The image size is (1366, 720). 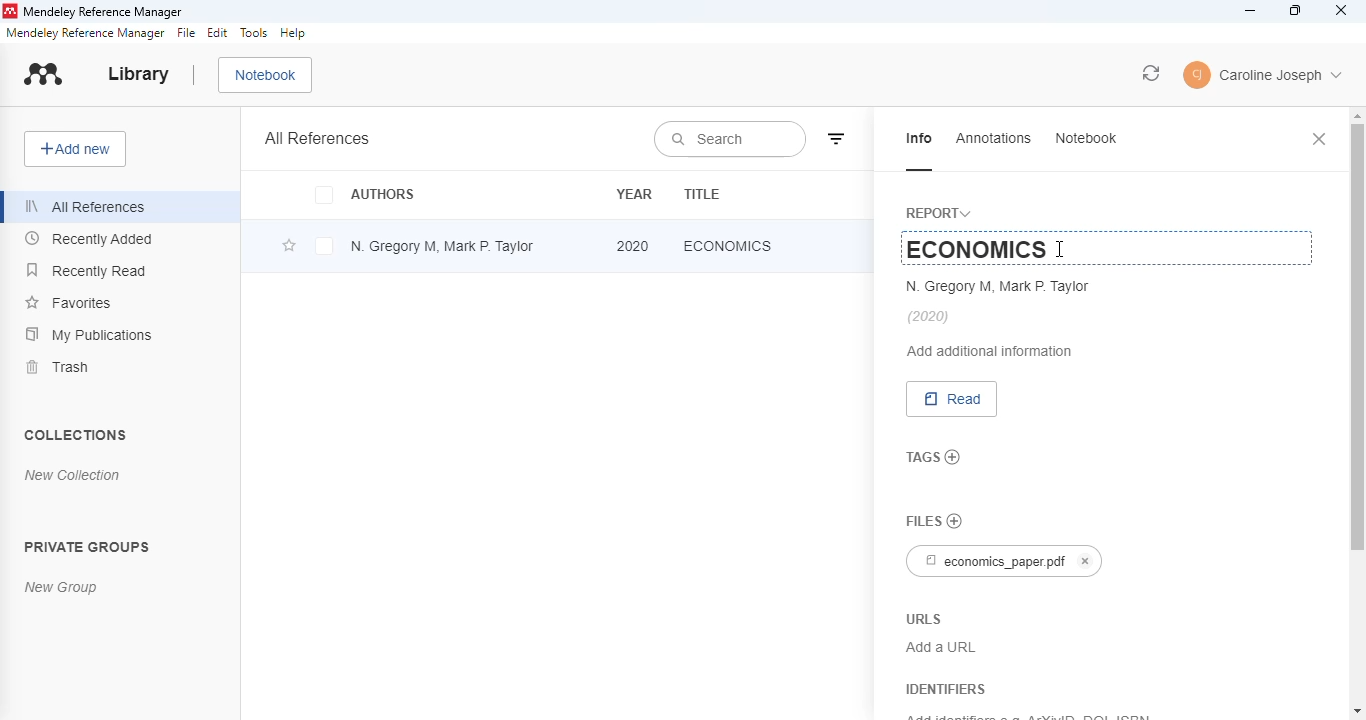 What do you see at coordinates (1320, 138) in the screenshot?
I see `close` at bounding box center [1320, 138].